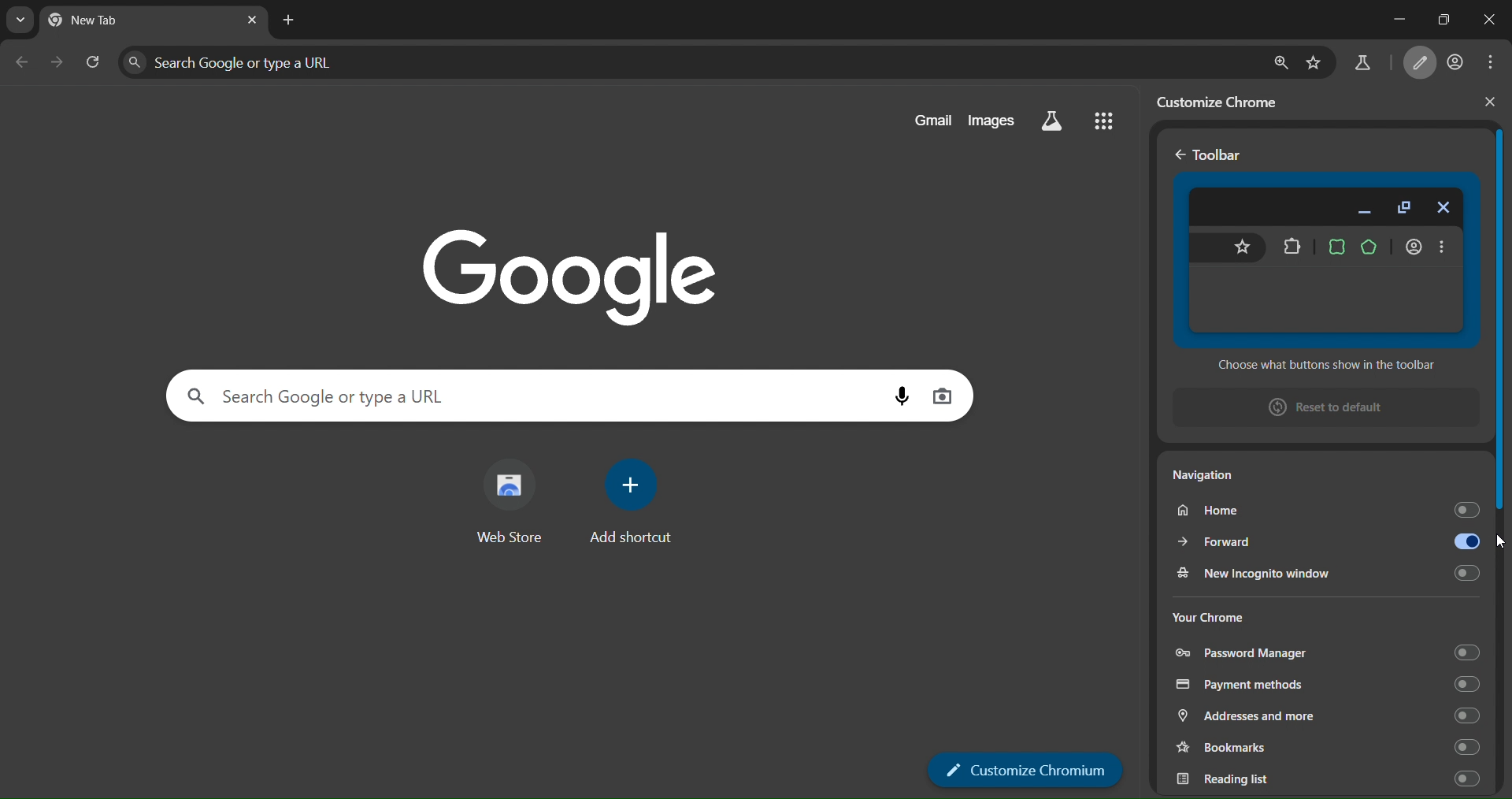 The width and height of the screenshot is (1512, 799). I want to click on web store, so click(513, 504).